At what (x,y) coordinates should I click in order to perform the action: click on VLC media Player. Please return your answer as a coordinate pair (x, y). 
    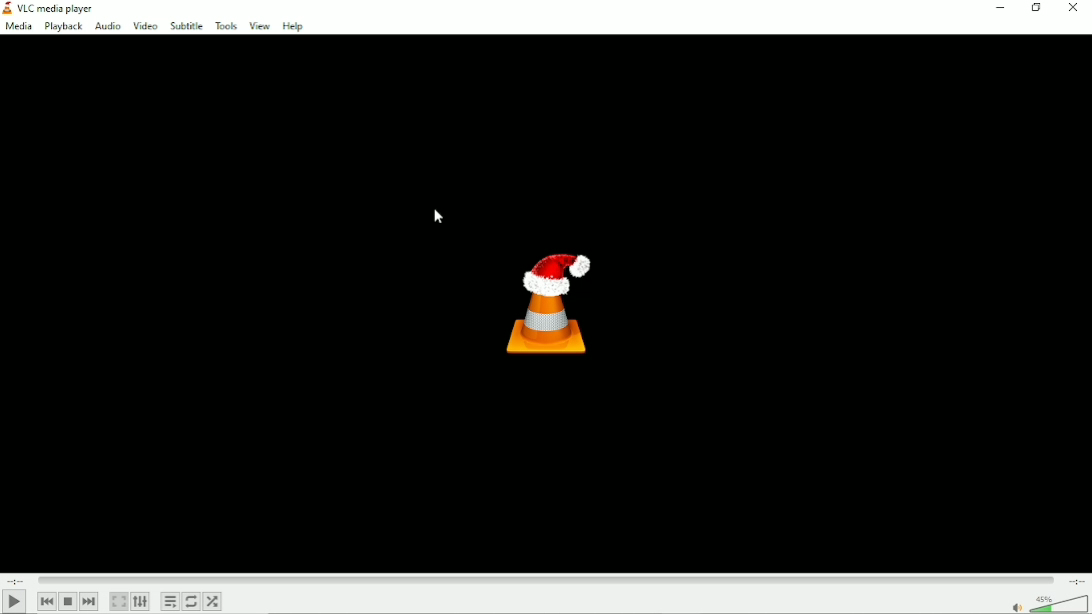
    Looking at the image, I should click on (54, 8).